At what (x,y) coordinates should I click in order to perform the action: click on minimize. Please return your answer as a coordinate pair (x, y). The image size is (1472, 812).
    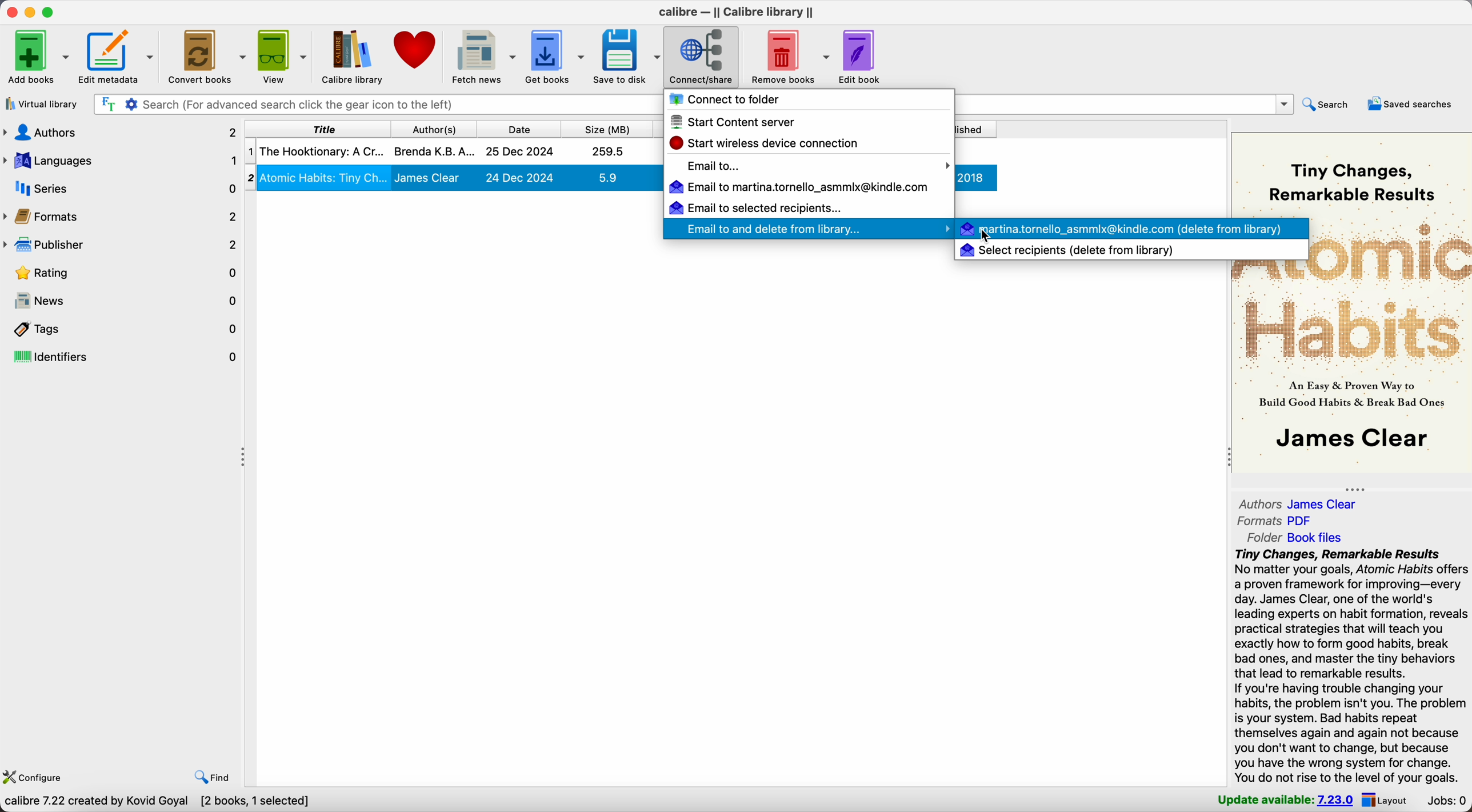
    Looking at the image, I should click on (30, 11).